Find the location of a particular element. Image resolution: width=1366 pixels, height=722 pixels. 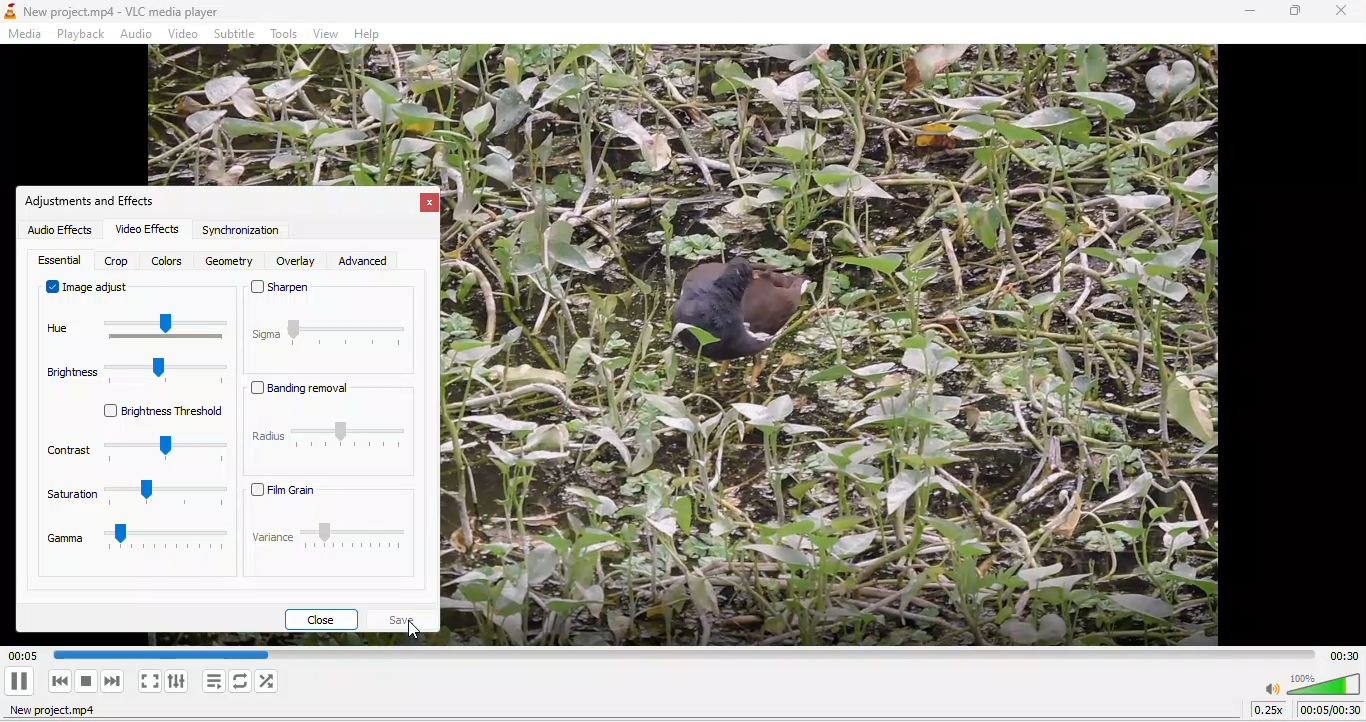

overlay is located at coordinates (298, 262).